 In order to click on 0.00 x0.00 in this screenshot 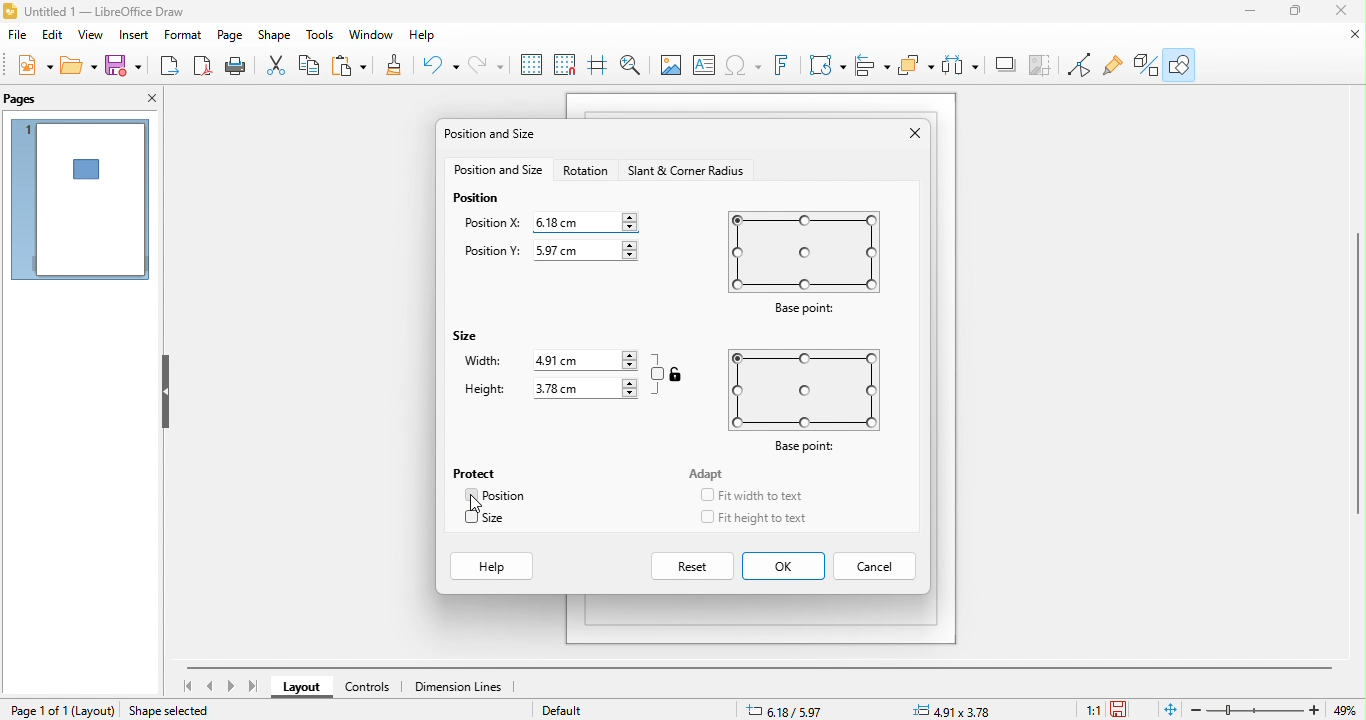, I will do `click(955, 709)`.